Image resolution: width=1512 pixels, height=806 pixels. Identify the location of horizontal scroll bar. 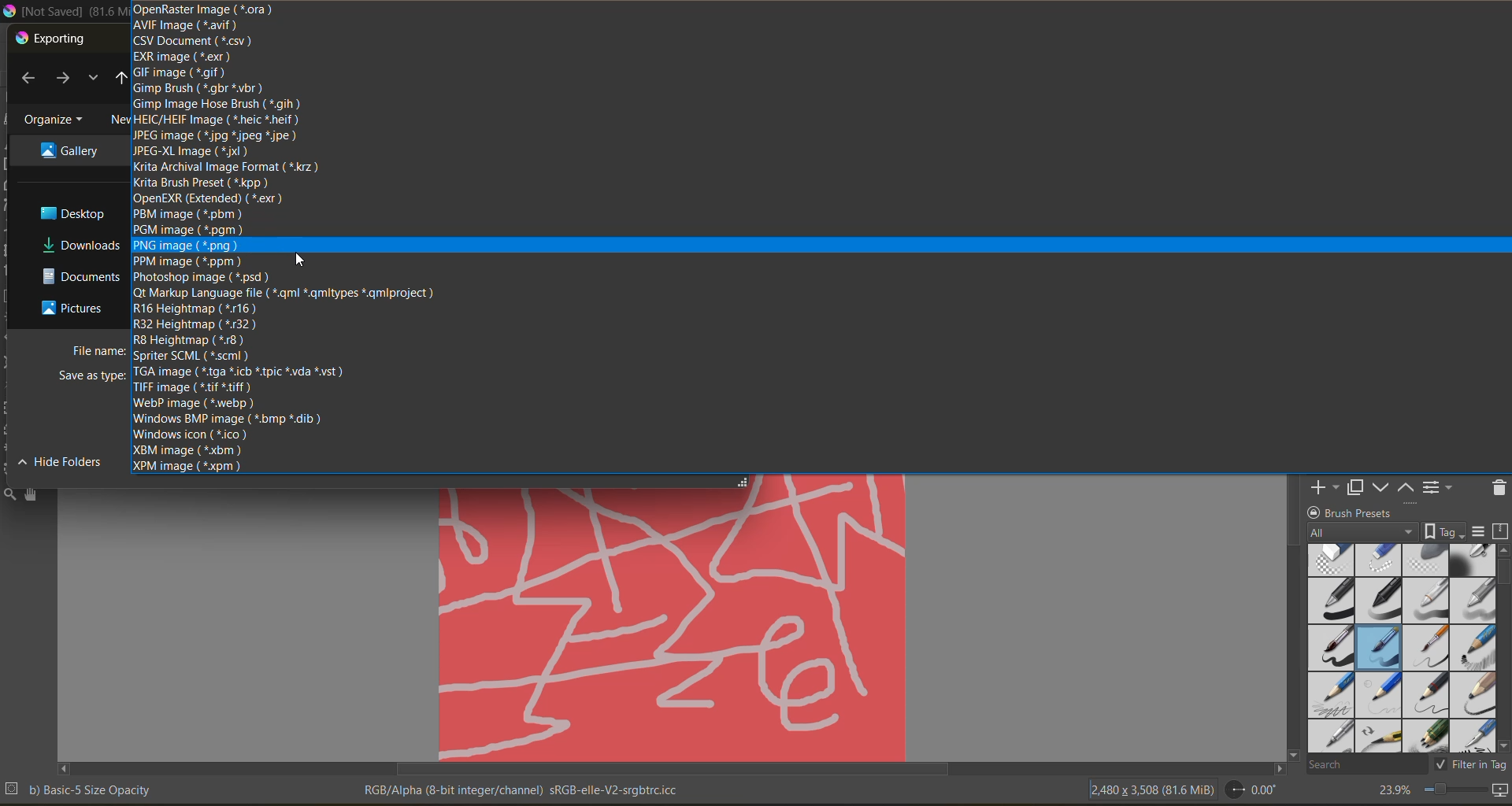
(671, 769).